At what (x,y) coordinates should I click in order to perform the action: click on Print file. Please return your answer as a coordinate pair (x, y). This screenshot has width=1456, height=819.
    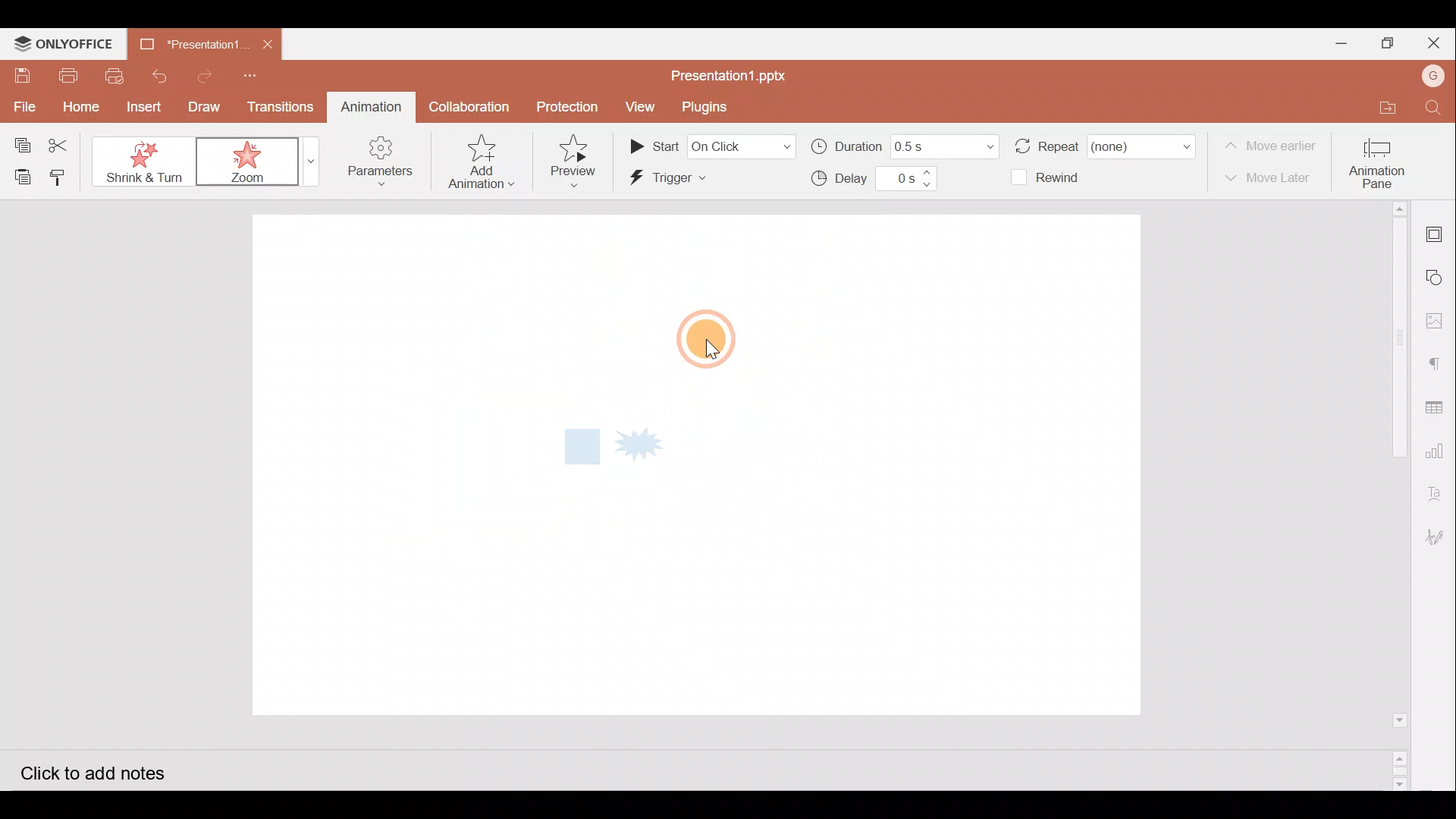
    Looking at the image, I should click on (70, 75).